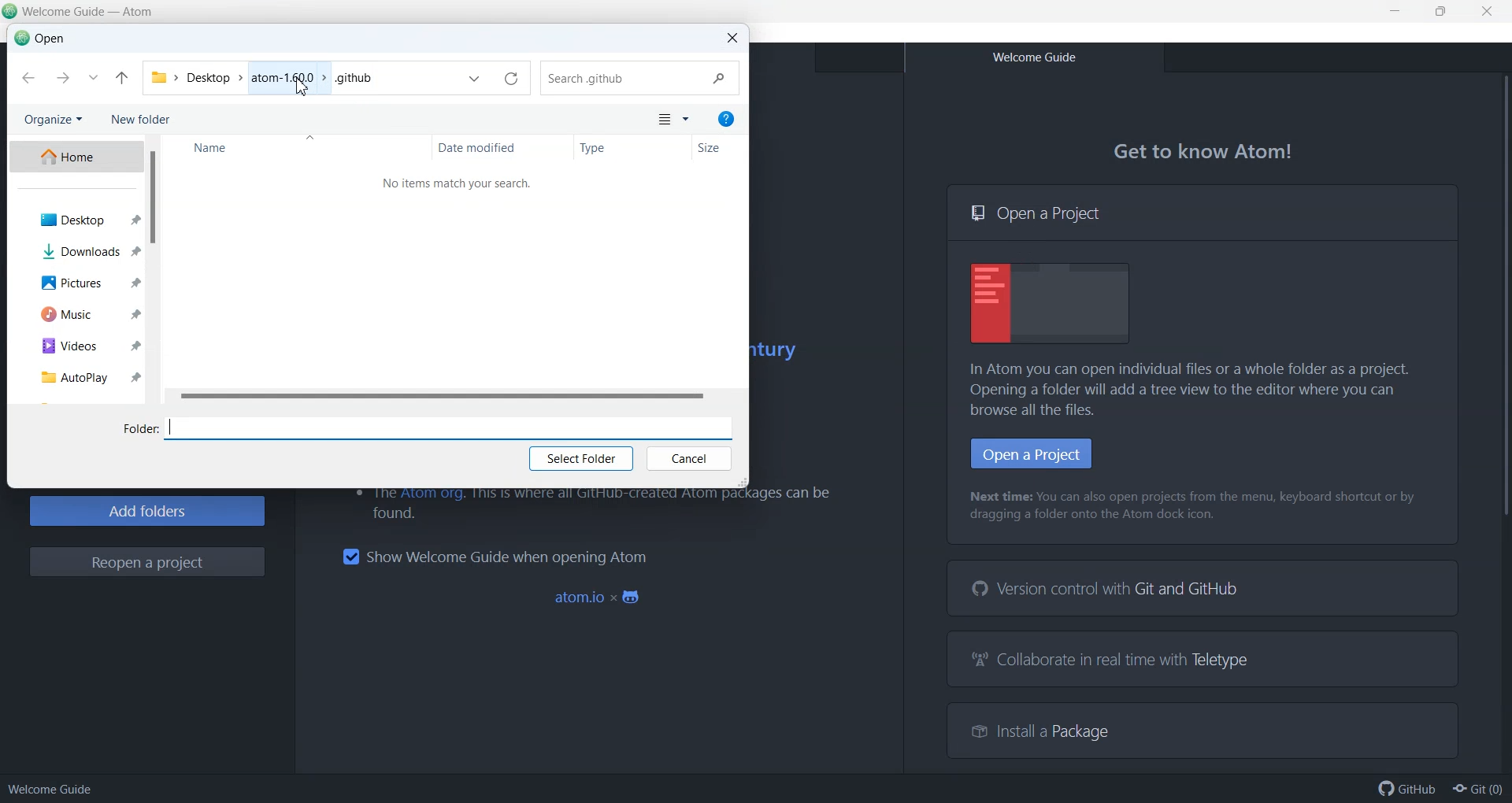  Describe the element at coordinates (78, 313) in the screenshot. I see `Music` at that location.